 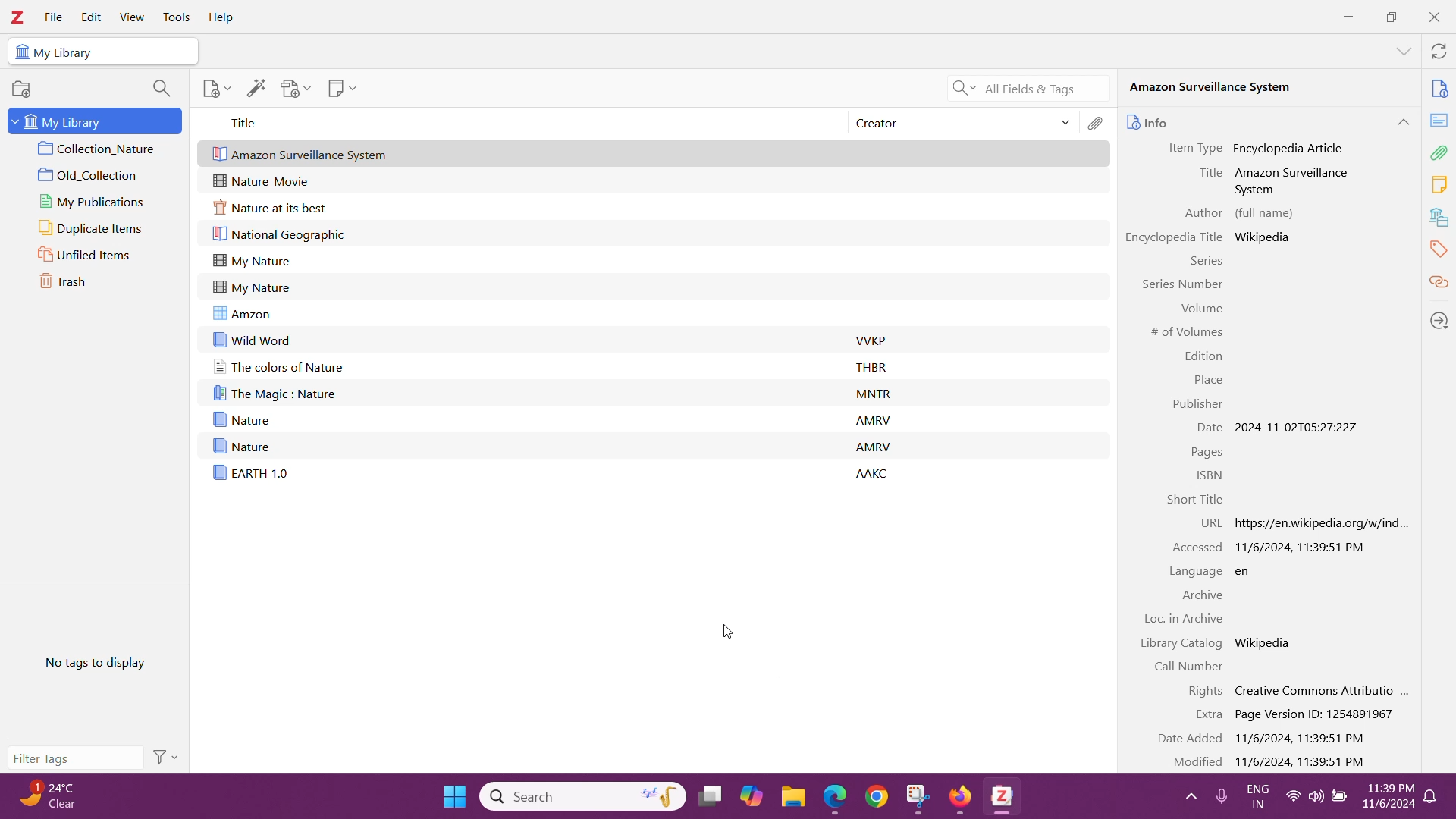 I want to click on Title, so click(x=1208, y=174).